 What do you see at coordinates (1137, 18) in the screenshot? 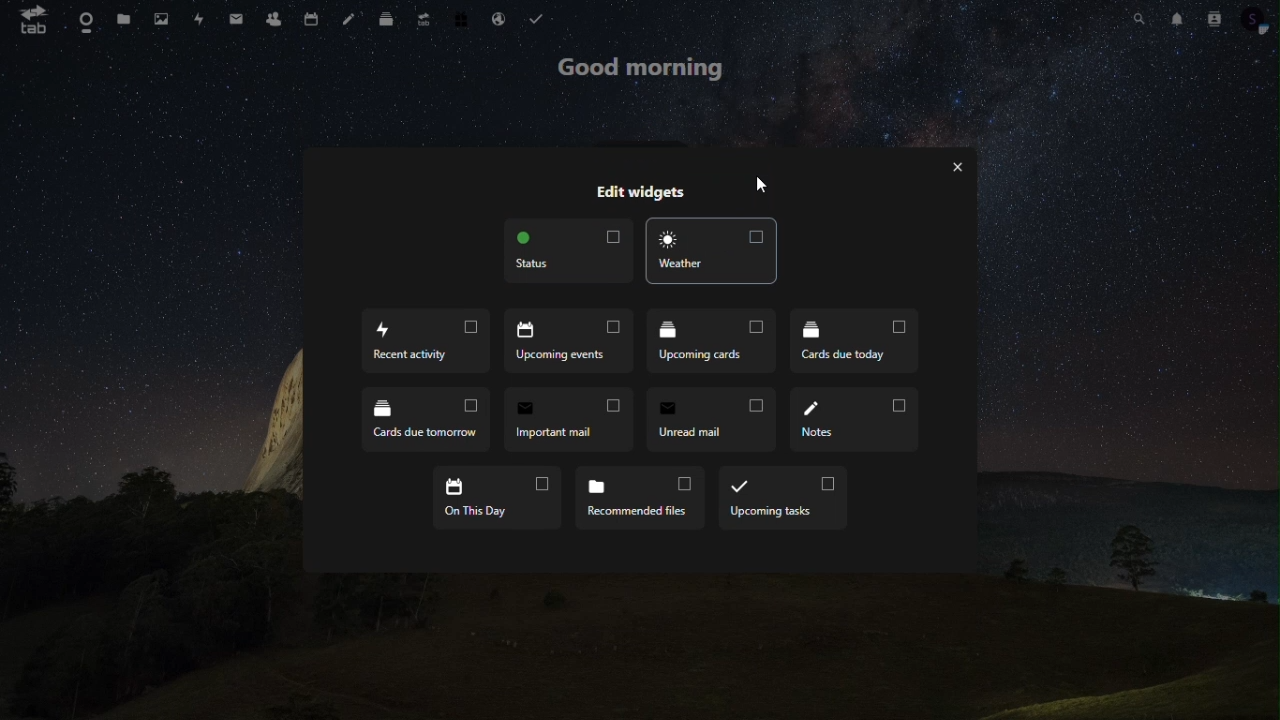
I see `search` at bounding box center [1137, 18].